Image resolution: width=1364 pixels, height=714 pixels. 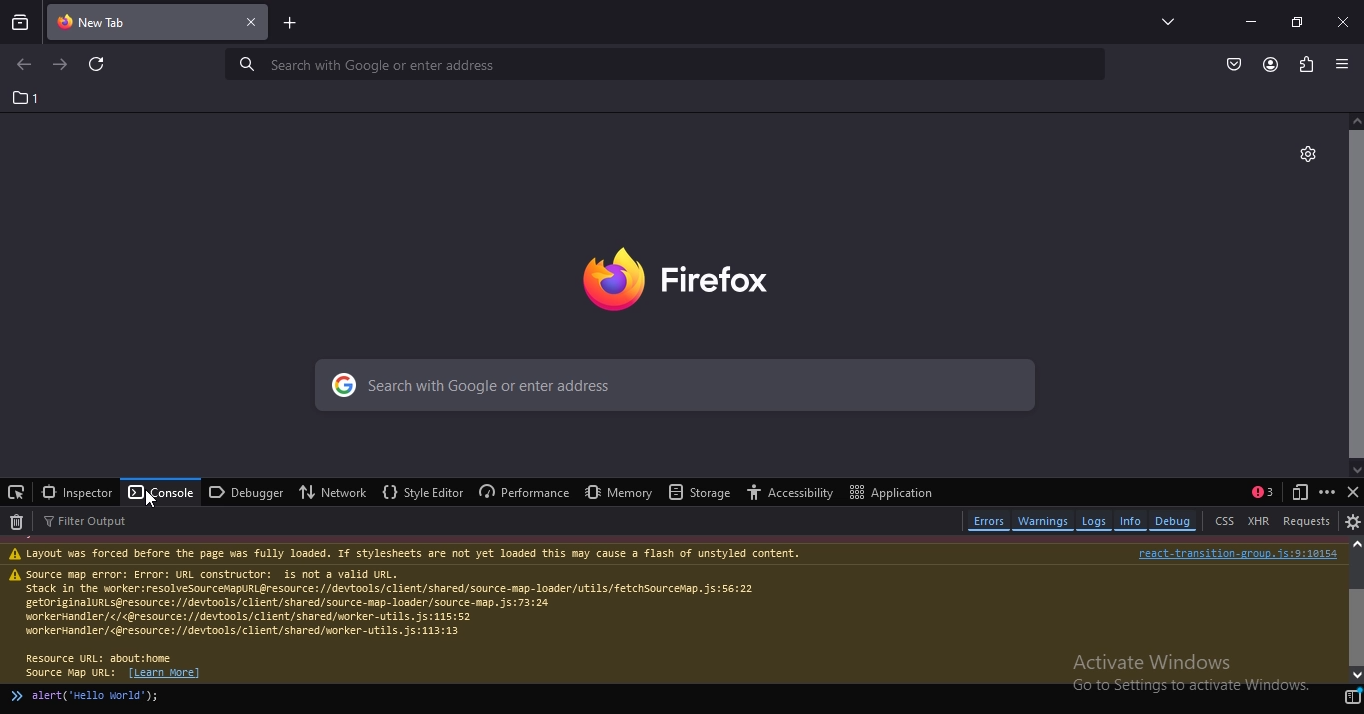 I want to click on switch to multi line editor mode, so click(x=1352, y=700).